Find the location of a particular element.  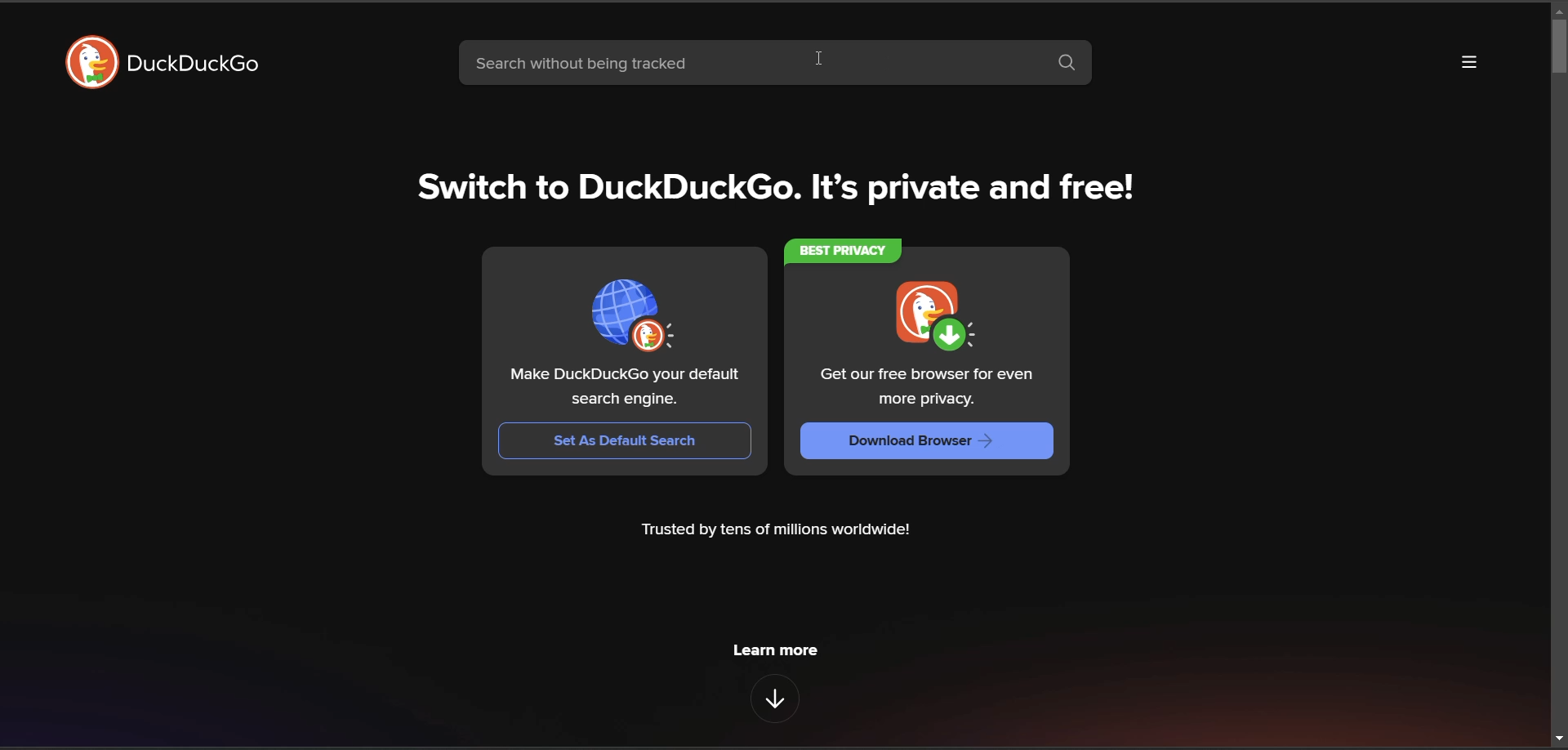

search bar is located at coordinates (746, 62).